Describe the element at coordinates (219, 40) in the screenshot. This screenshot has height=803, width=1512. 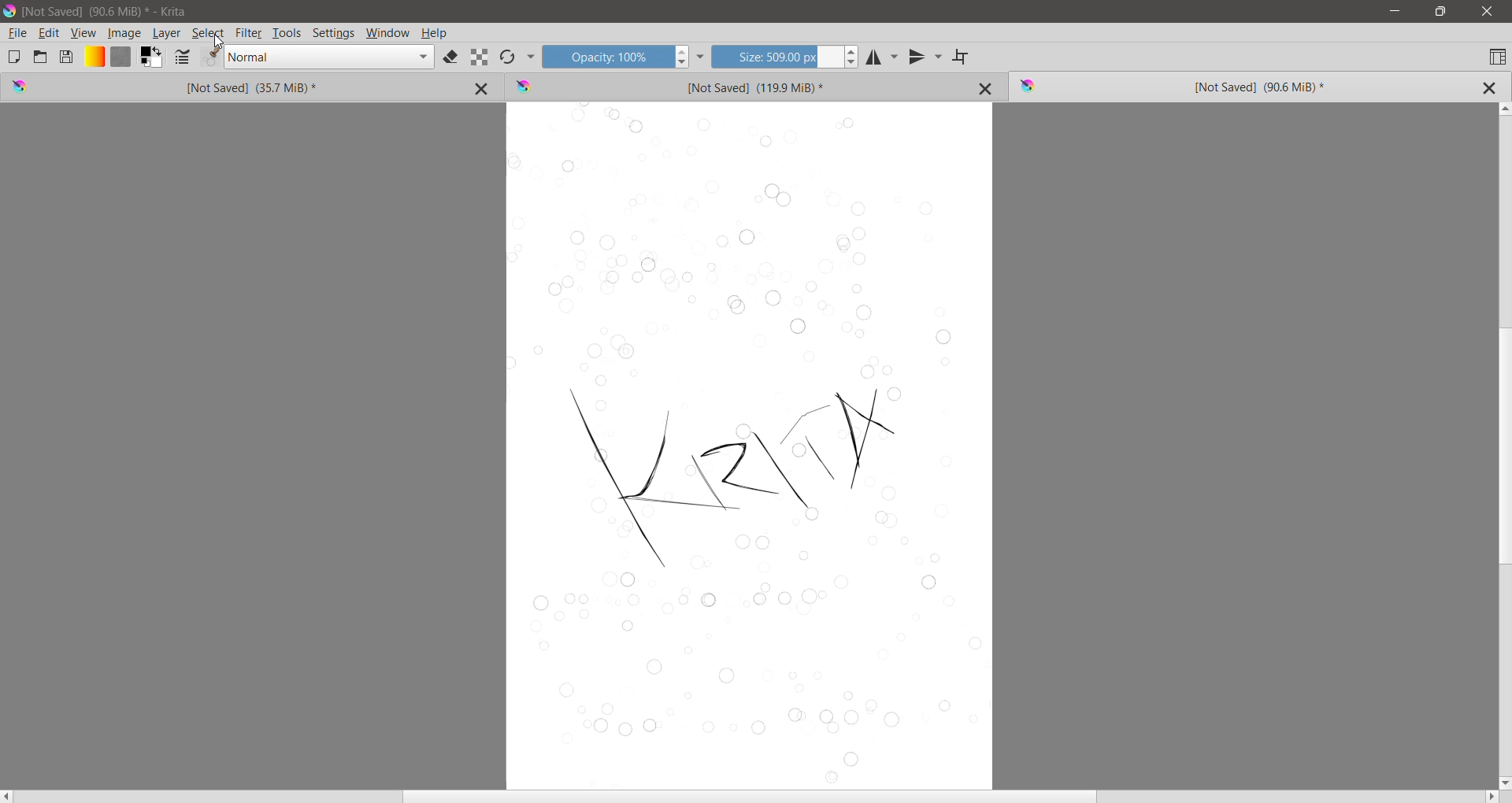
I see `Cursor` at that location.